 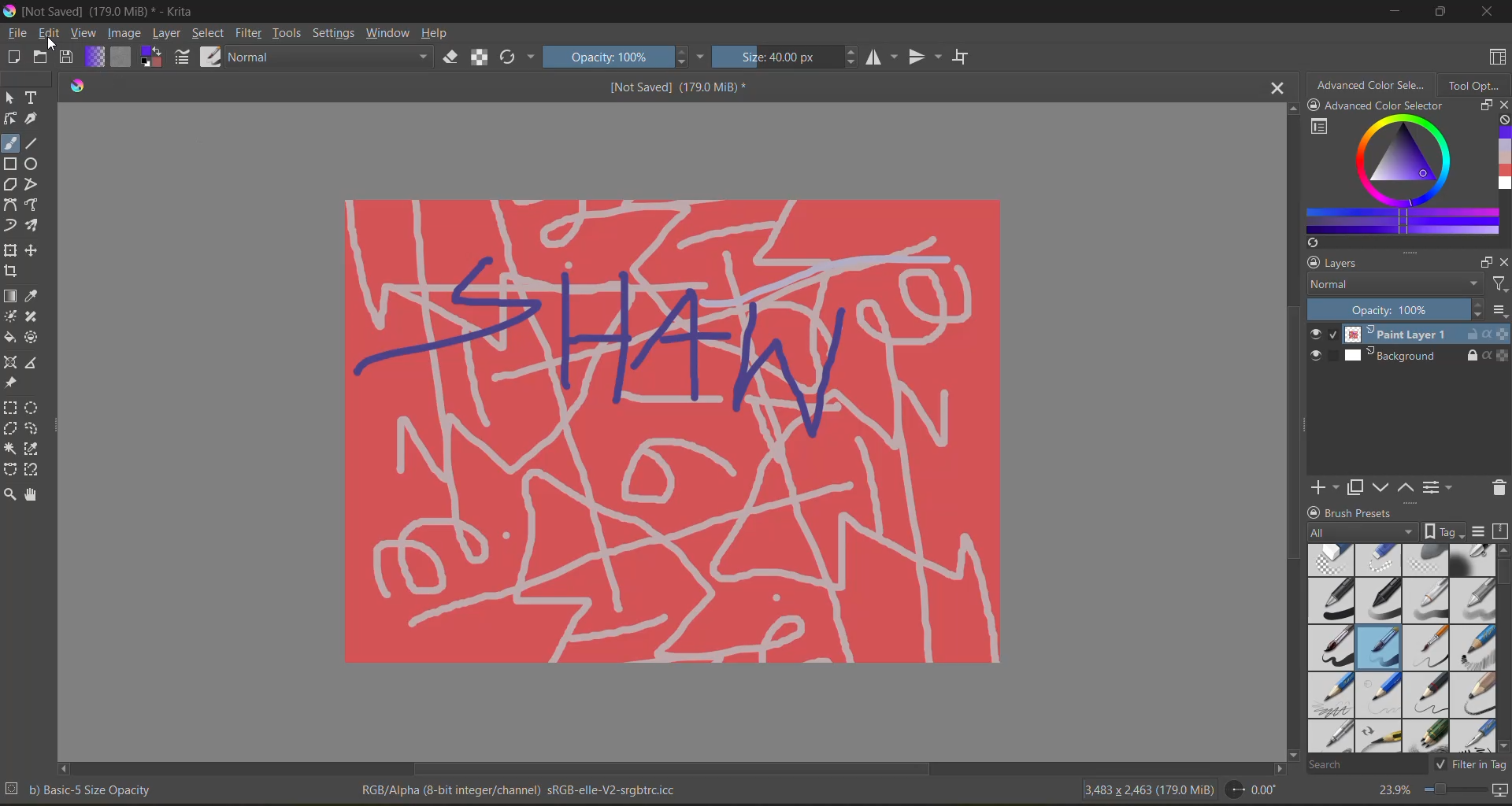 I want to click on set eraser mode, so click(x=451, y=56).